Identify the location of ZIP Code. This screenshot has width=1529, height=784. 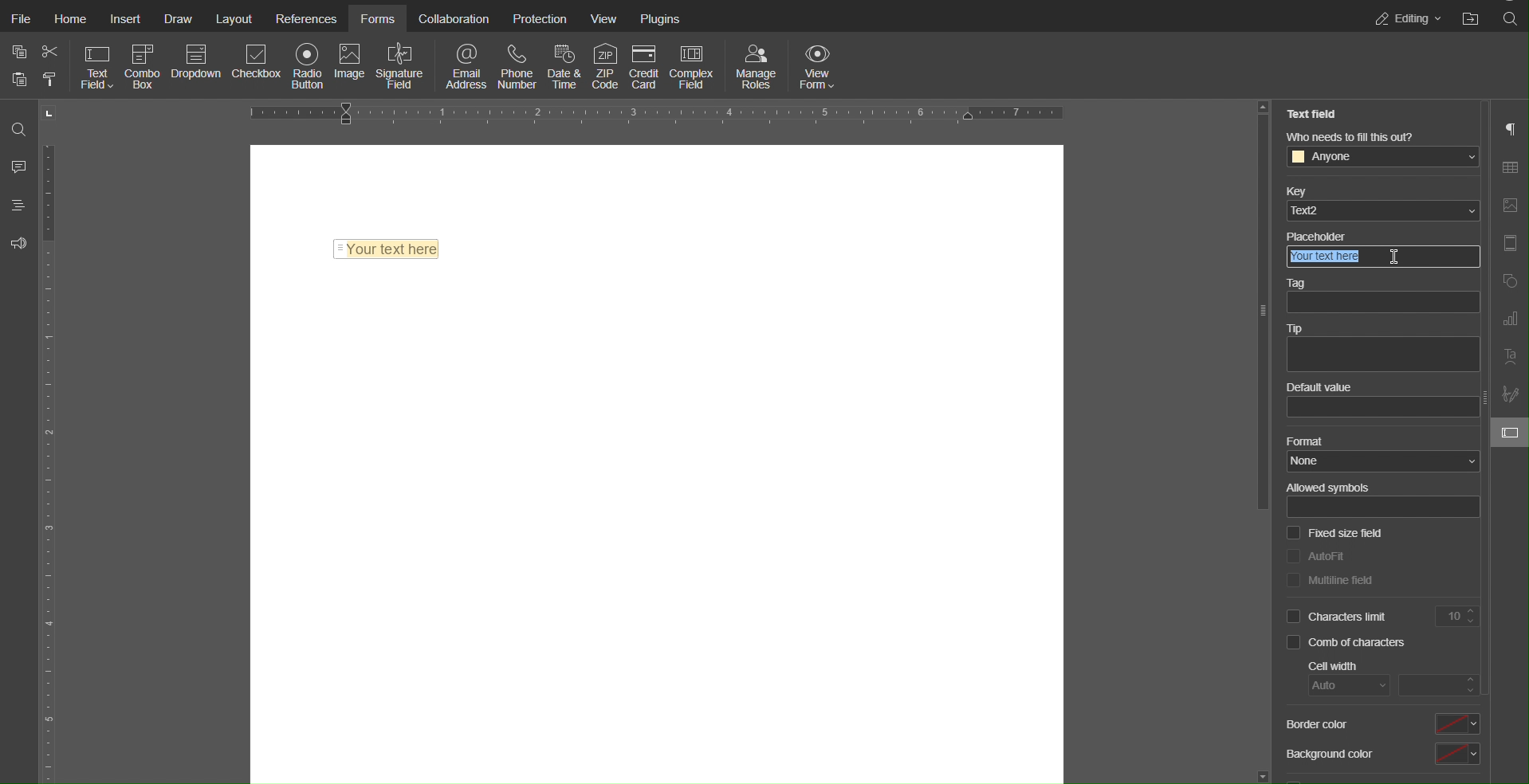
(605, 66).